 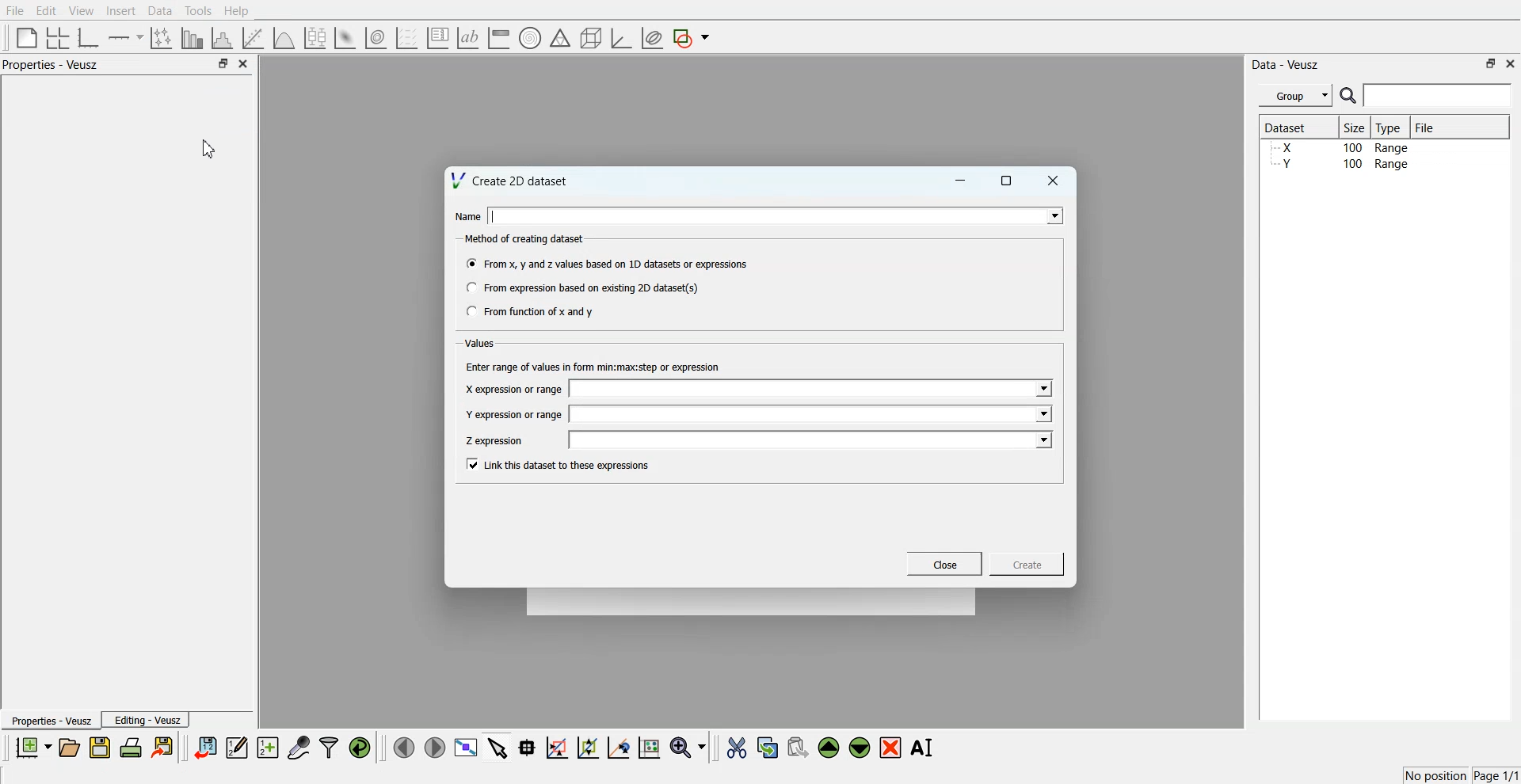 I want to click on Enter name, so click(x=813, y=413).